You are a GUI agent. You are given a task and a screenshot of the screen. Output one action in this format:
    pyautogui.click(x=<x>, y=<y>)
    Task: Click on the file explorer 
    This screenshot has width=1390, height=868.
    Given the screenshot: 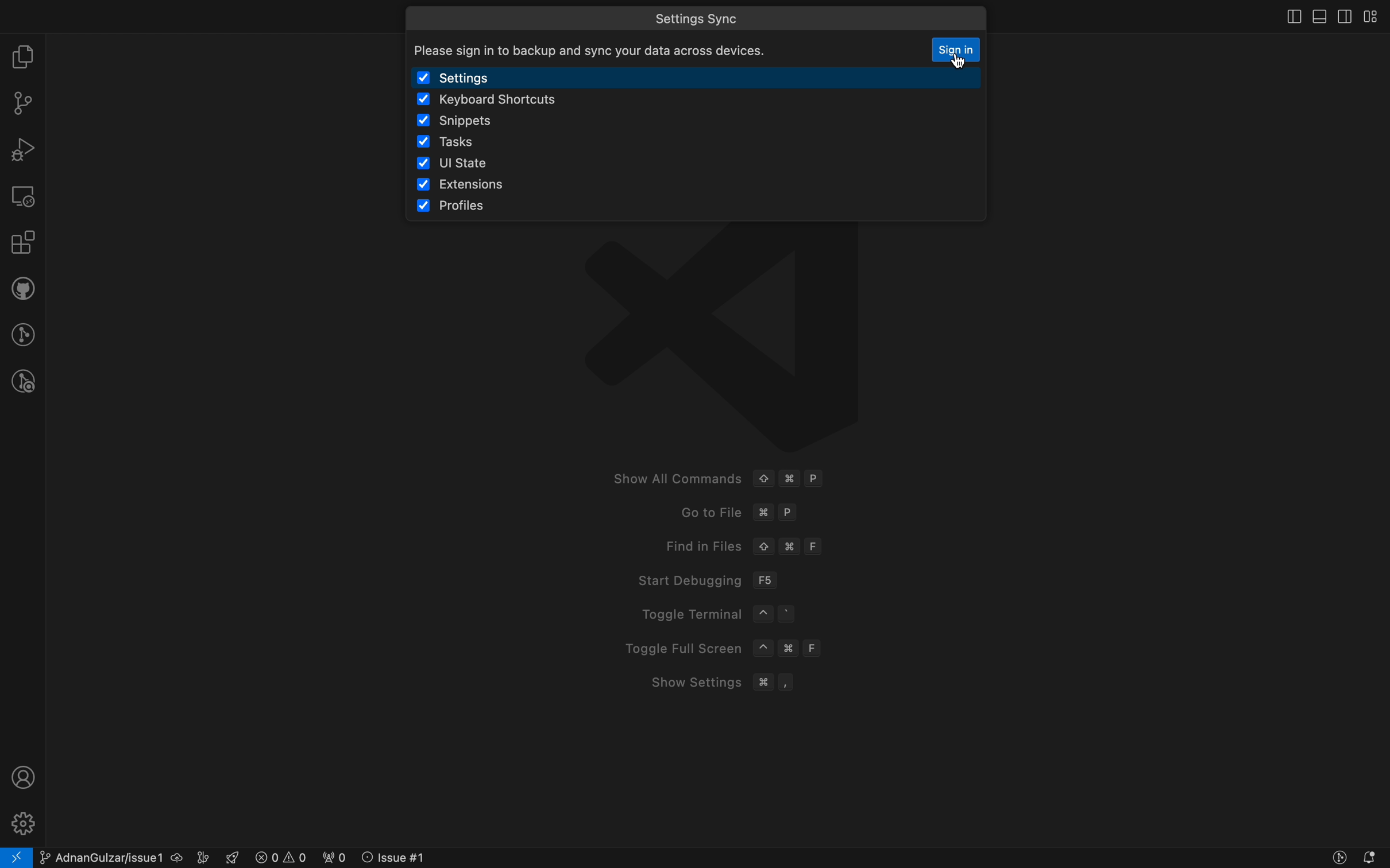 What is the action you would take?
    pyautogui.click(x=23, y=56)
    